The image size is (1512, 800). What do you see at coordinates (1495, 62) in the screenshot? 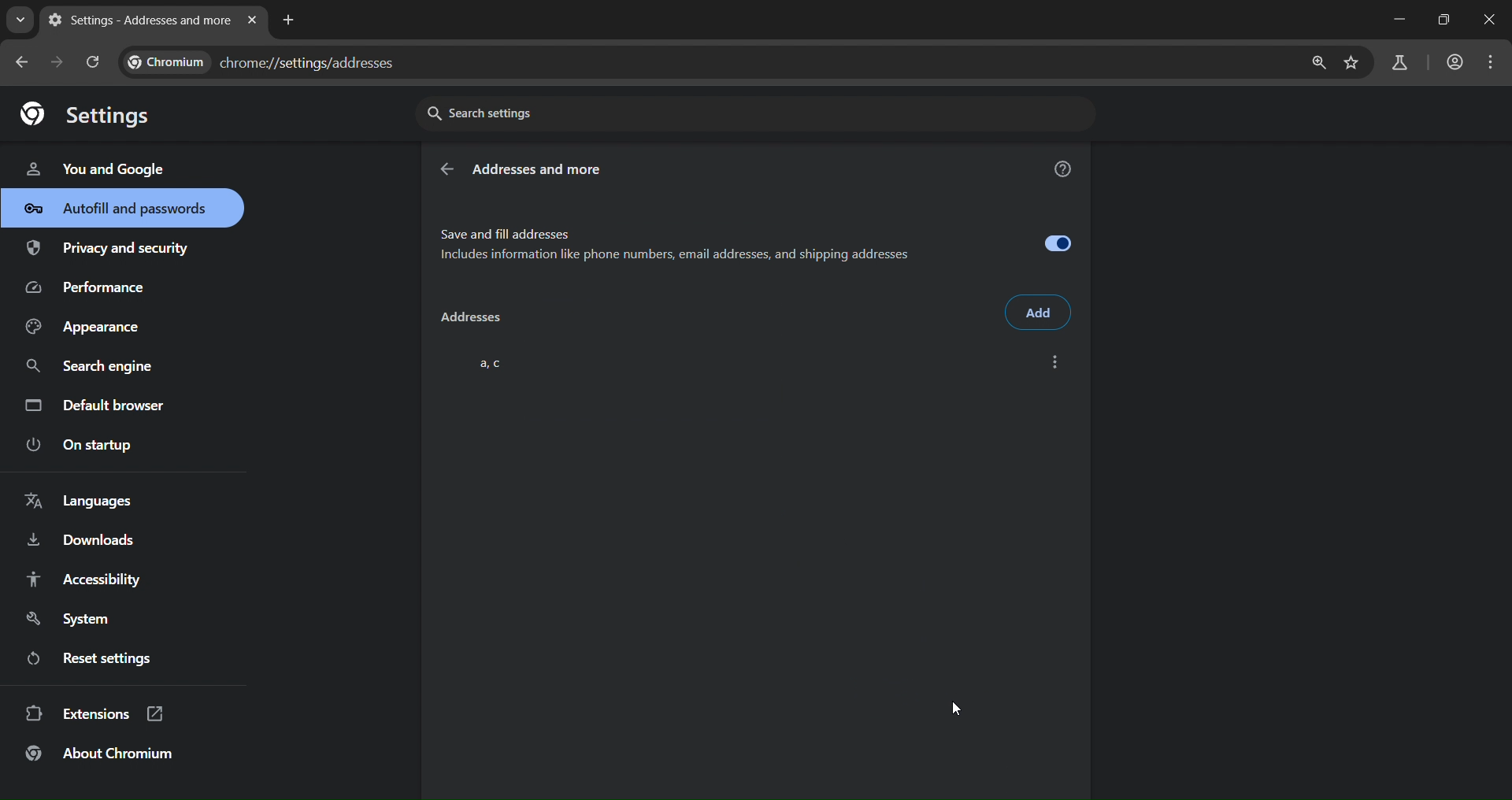
I see `menu` at bounding box center [1495, 62].